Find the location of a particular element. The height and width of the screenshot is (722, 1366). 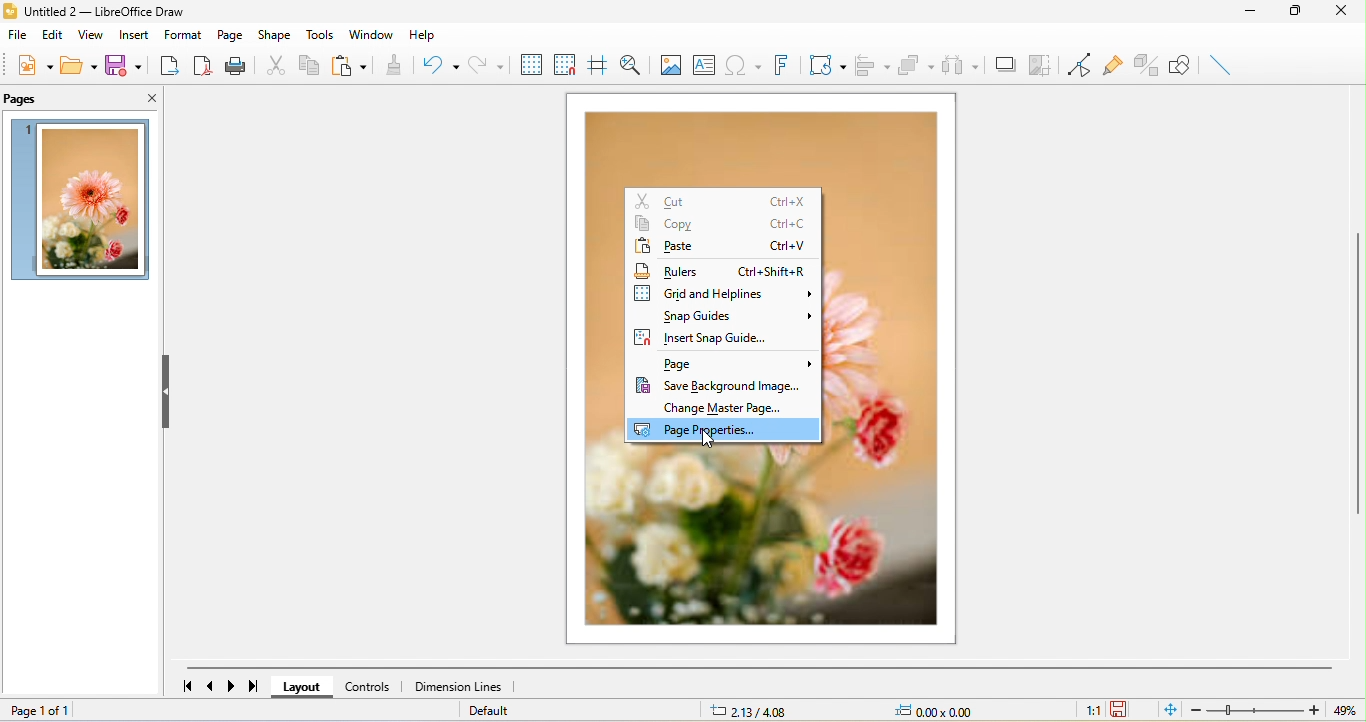

the document has not been modified since the last save is located at coordinates (1121, 709).